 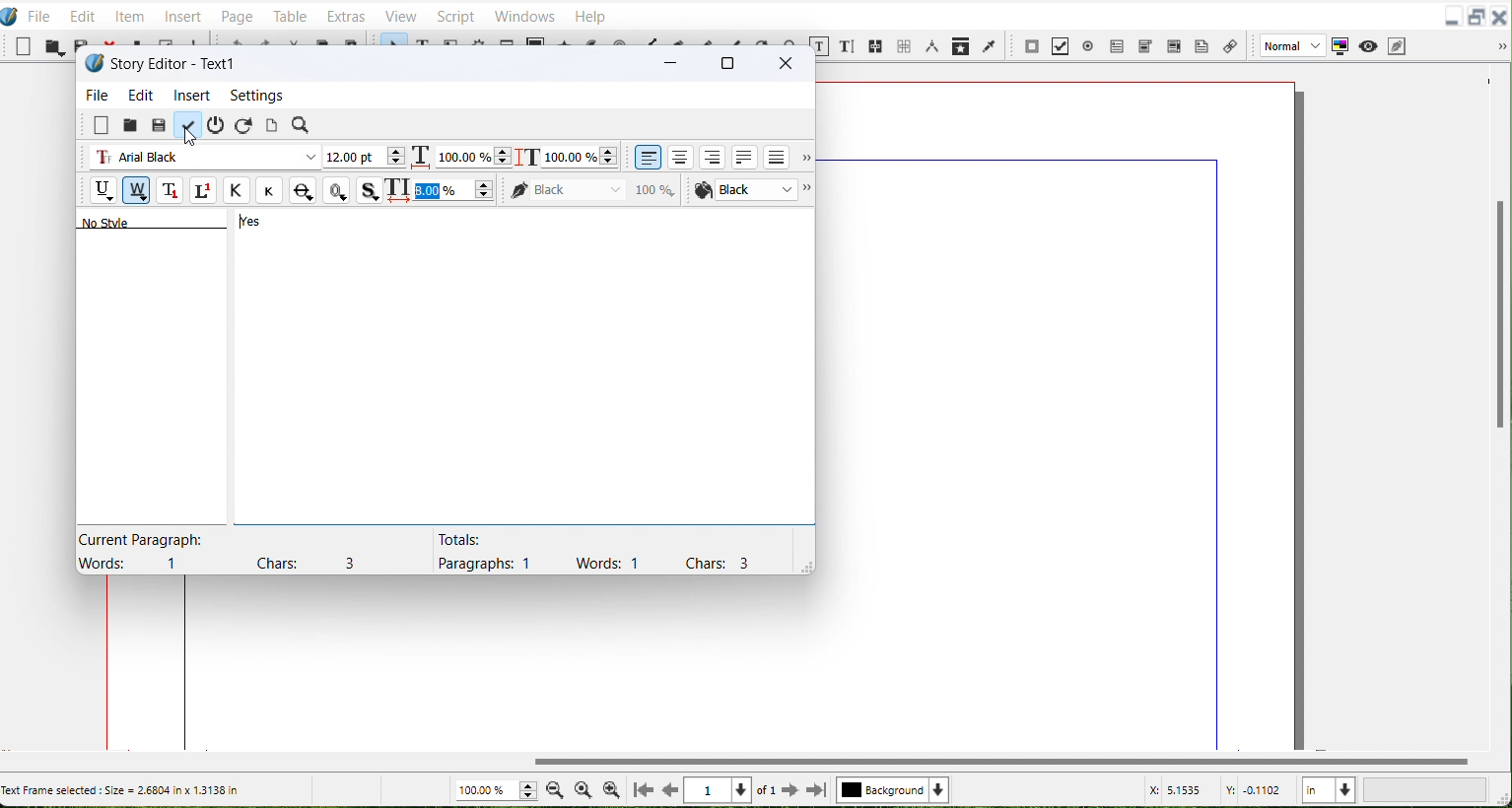 I want to click on Font Size Adjuster, so click(x=363, y=156).